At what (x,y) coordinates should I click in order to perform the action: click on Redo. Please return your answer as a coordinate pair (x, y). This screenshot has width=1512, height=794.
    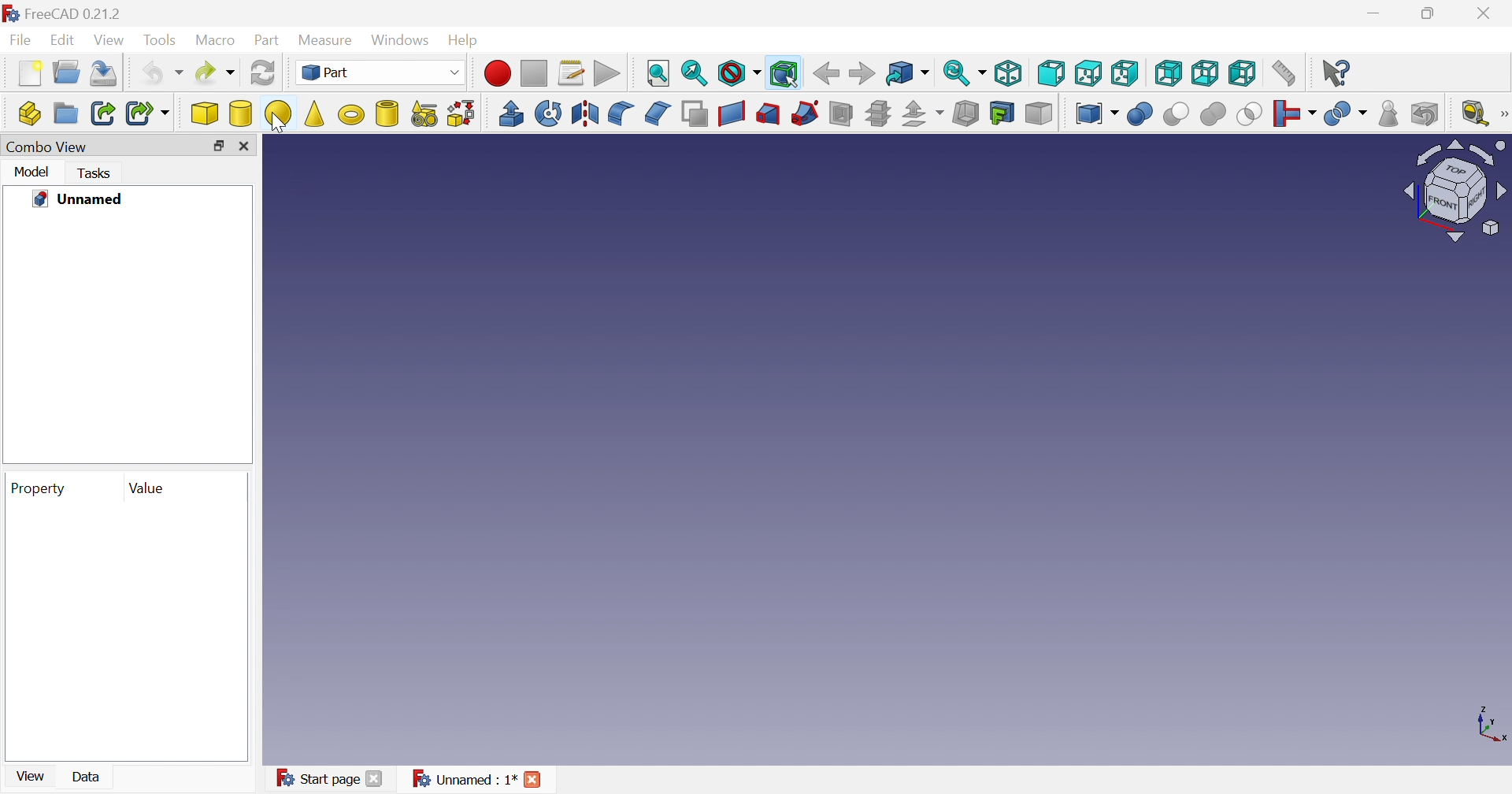
    Looking at the image, I should click on (216, 72).